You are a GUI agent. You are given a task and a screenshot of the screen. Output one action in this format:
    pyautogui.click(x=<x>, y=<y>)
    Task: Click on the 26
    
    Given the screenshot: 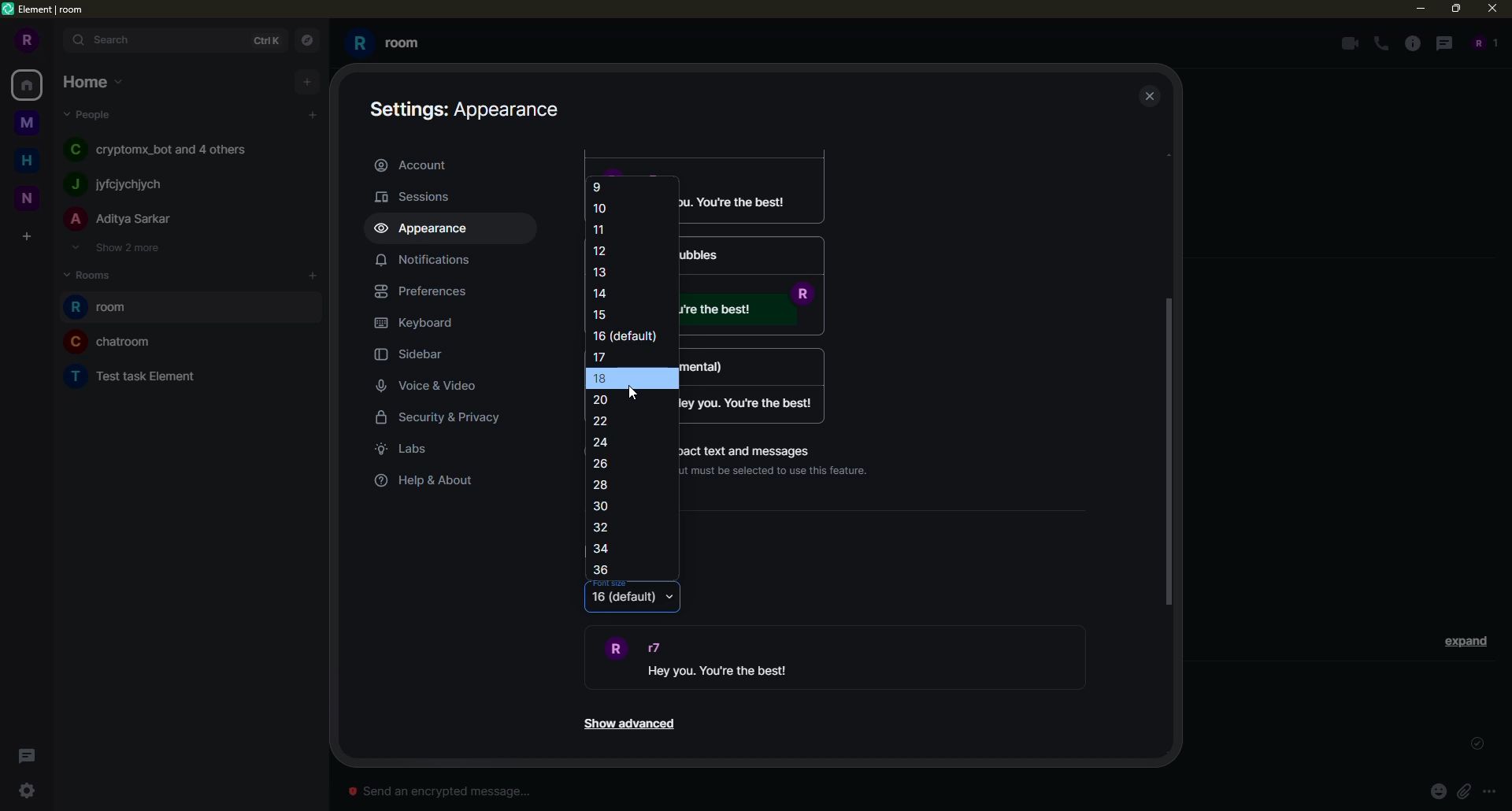 What is the action you would take?
    pyautogui.click(x=602, y=462)
    